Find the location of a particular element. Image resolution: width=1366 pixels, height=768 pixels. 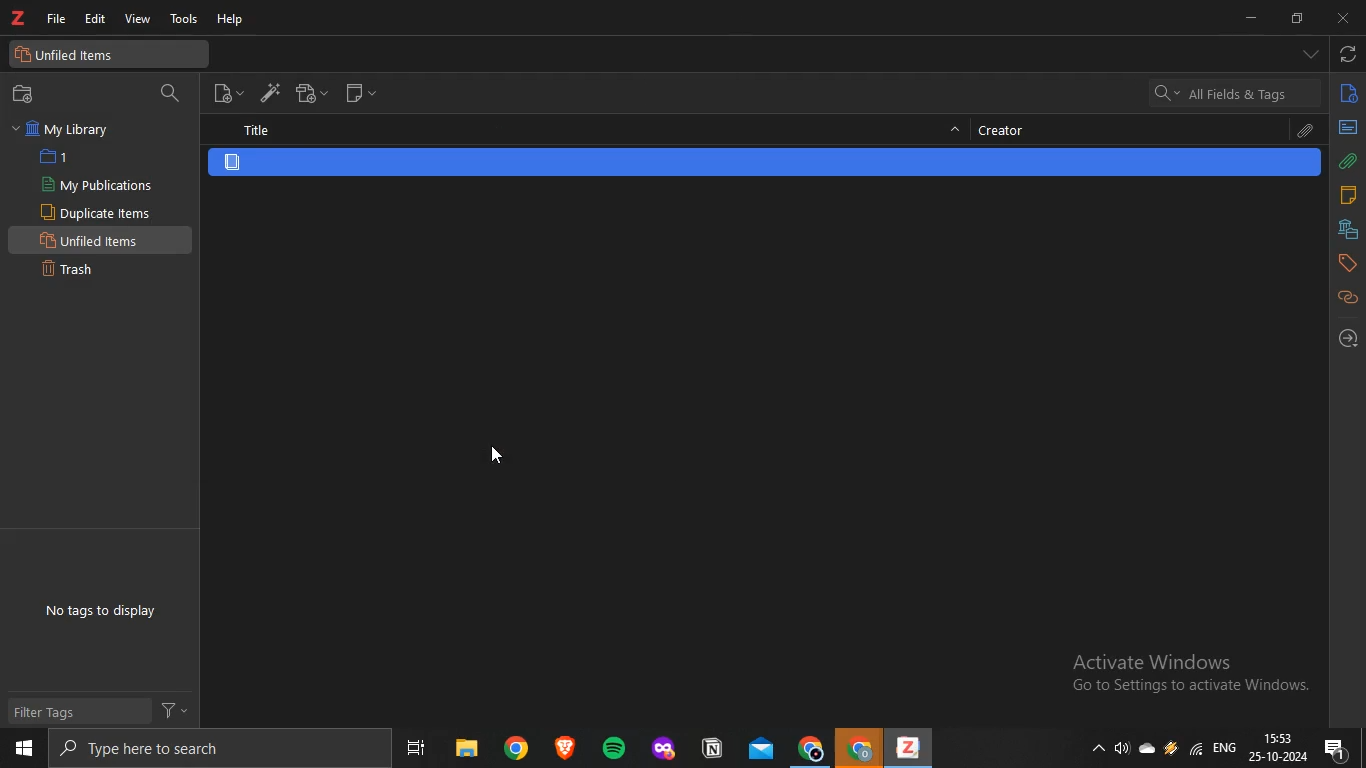

spotify is located at coordinates (609, 746).